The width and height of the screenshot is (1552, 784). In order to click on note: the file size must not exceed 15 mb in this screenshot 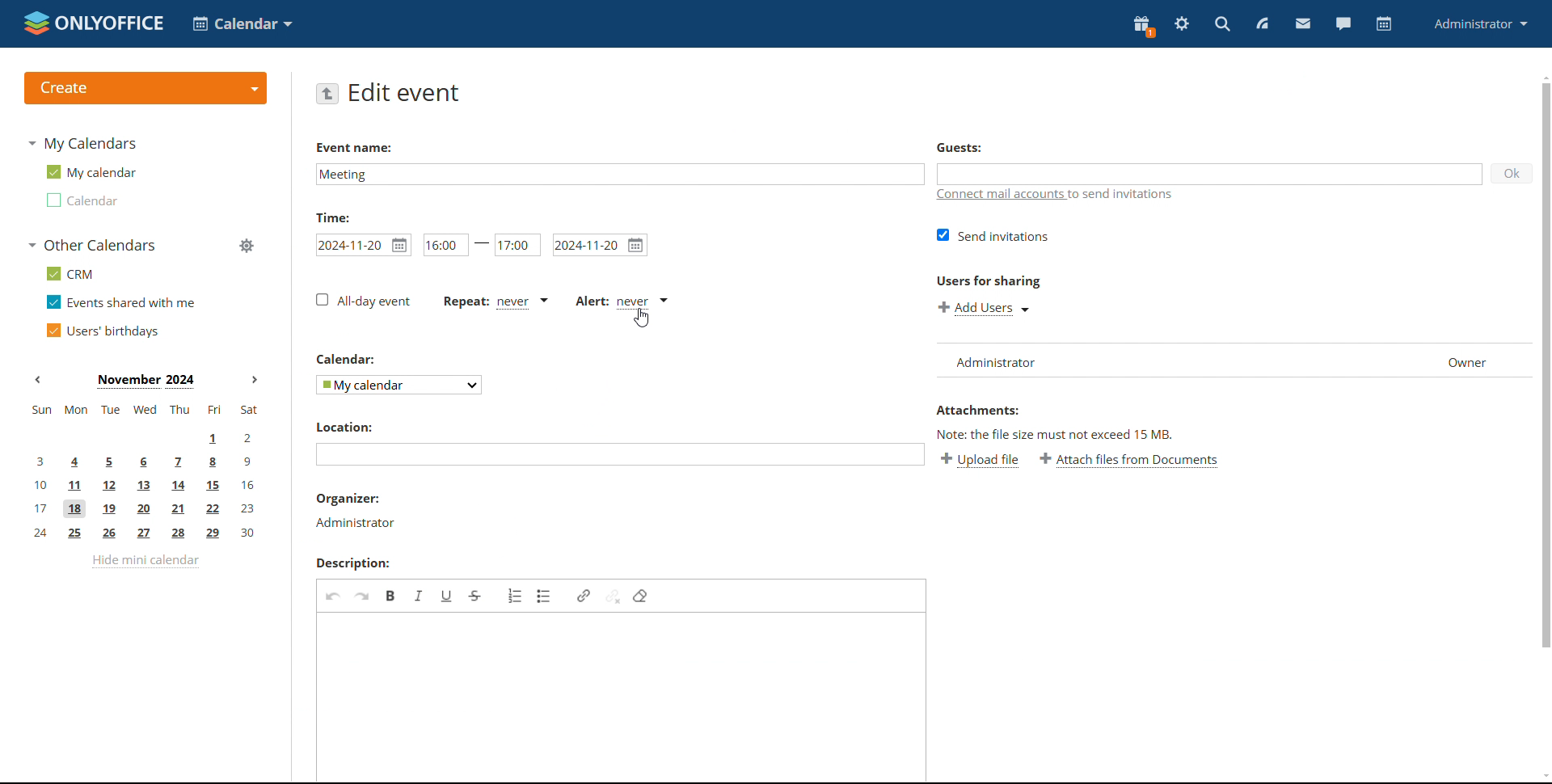, I will do `click(1056, 435)`.